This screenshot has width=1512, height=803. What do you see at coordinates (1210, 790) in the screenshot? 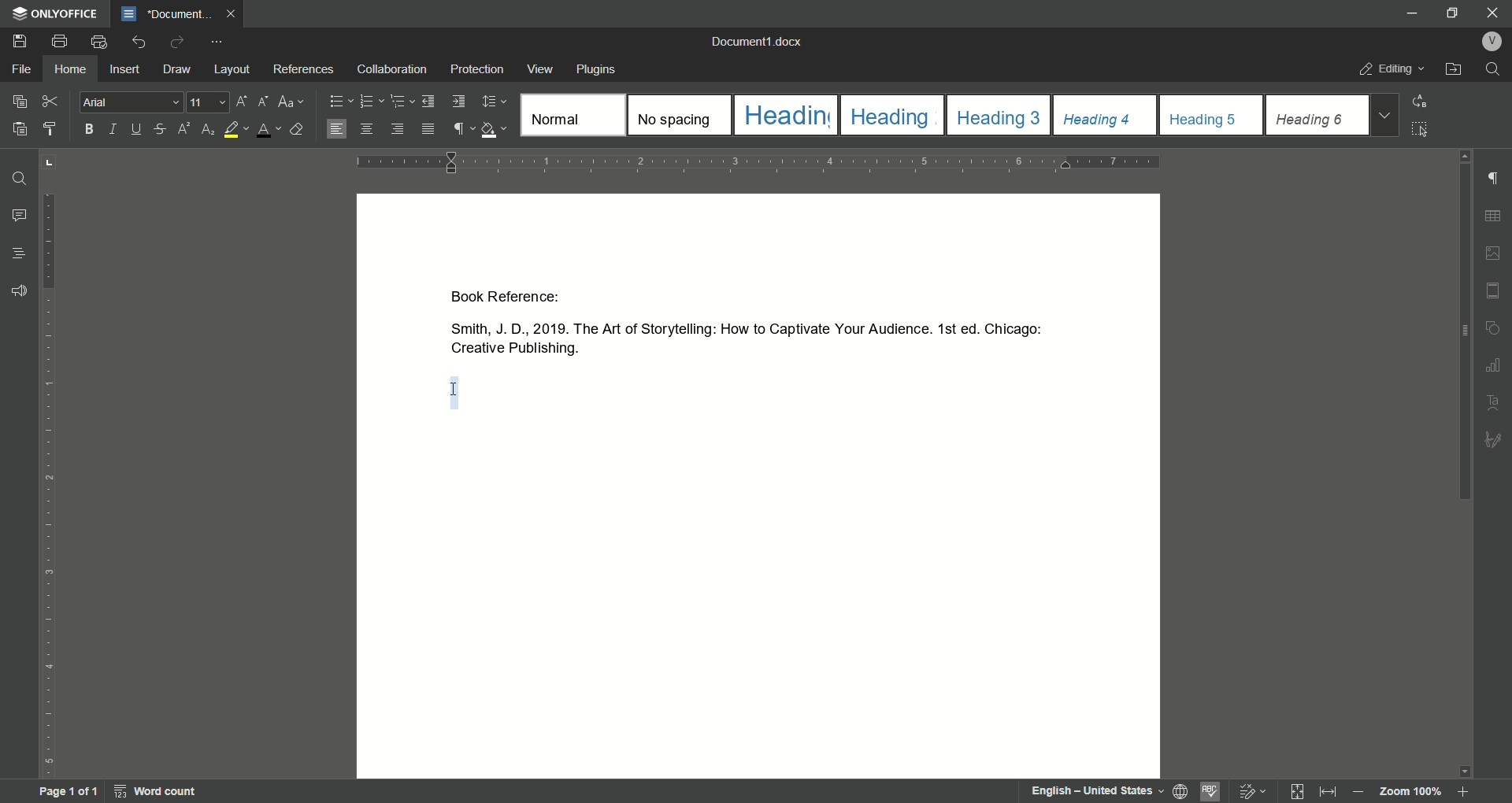
I see `spell check` at bounding box center [1210, 790].